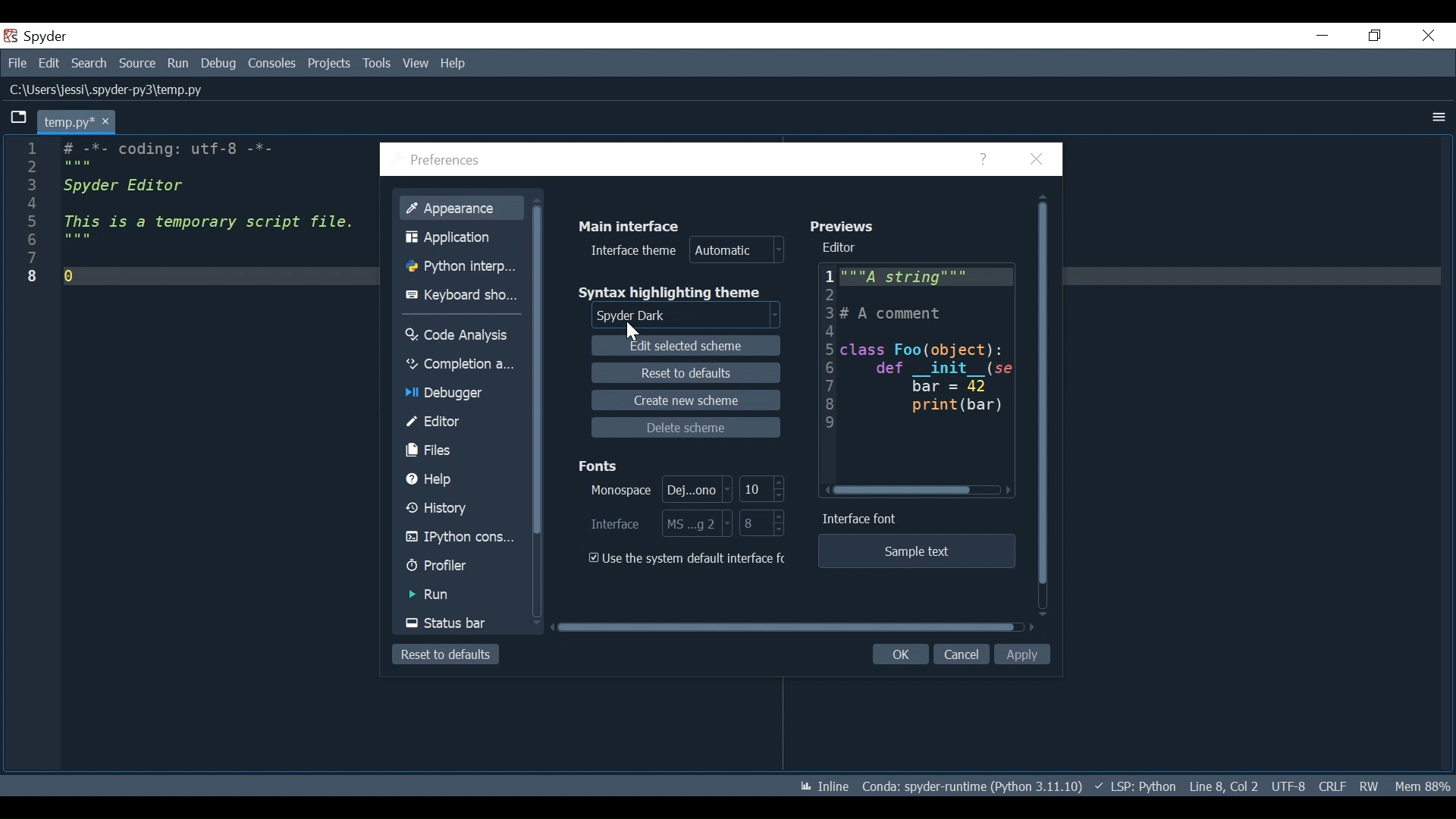  Describe the element at coordinates (375, 64) in the screenshot. I see `Tools` at that location.